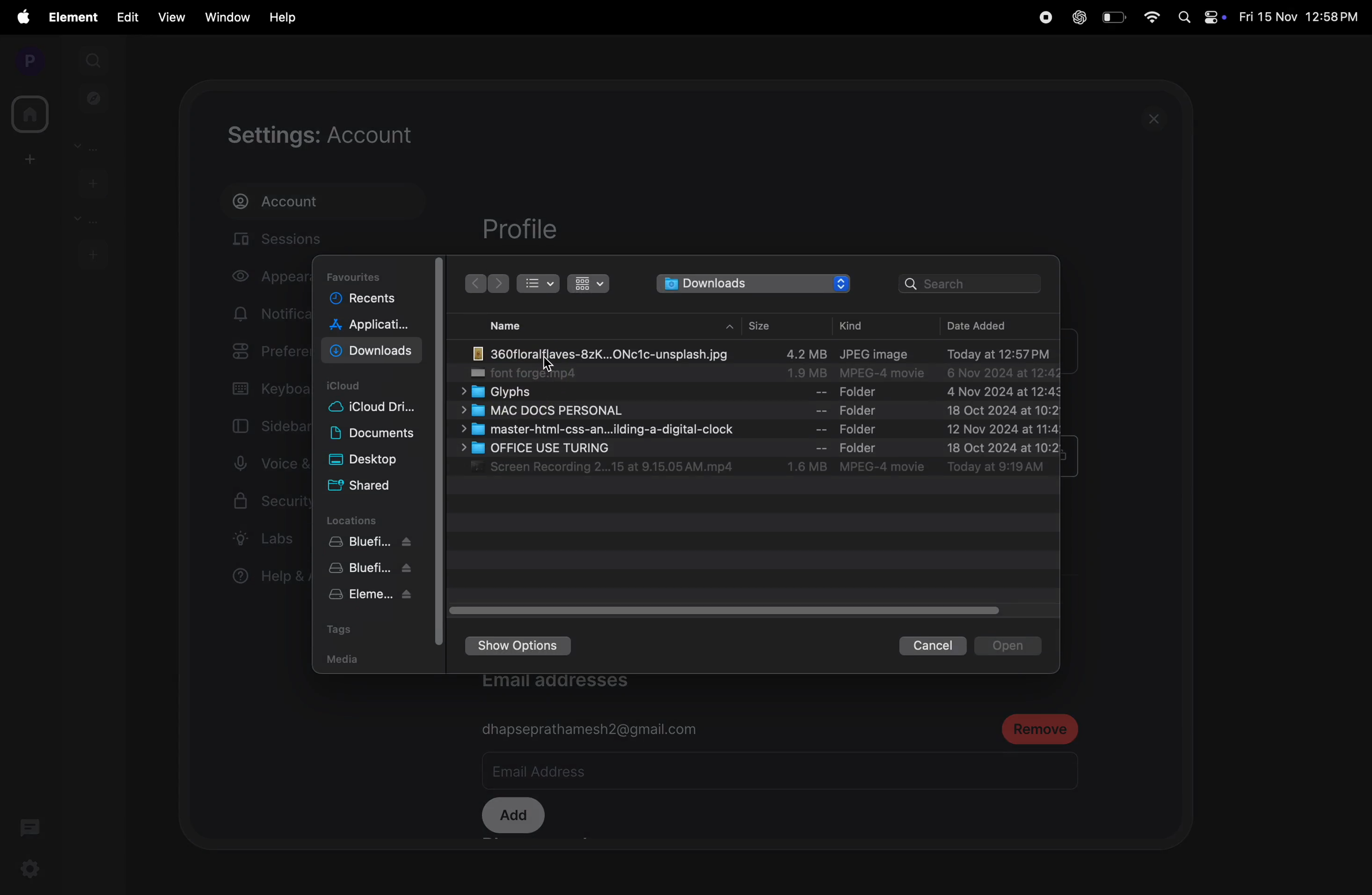  What do you see at coordinates (568, 686) in the screenshot?
I see `email addresses` at bounding box center [568, 686].